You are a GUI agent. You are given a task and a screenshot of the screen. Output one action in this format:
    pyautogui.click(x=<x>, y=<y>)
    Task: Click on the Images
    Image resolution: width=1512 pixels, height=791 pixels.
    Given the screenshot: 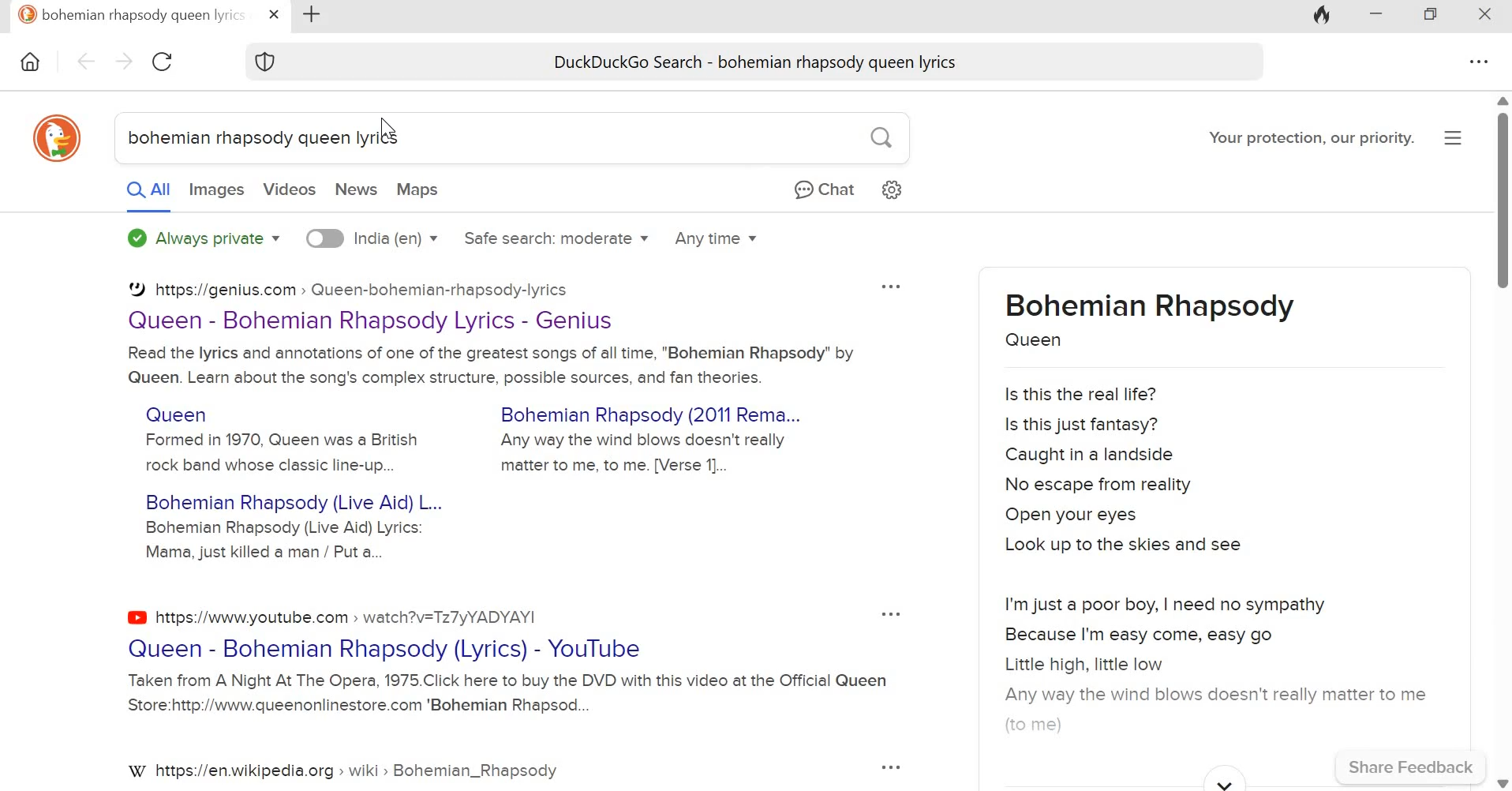 What is the action you would take?
    pyautogui.click(x=217, y=187)
    